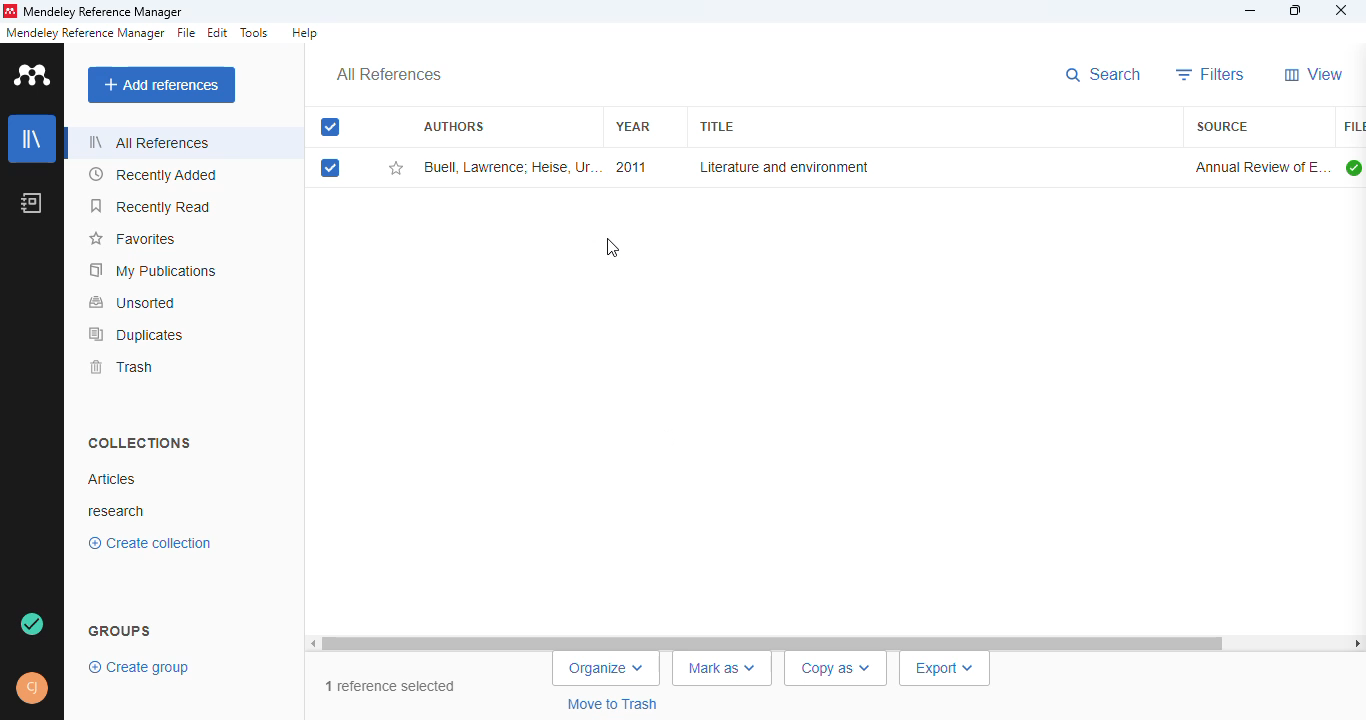  I want to click on recently read, so click(150, 206).